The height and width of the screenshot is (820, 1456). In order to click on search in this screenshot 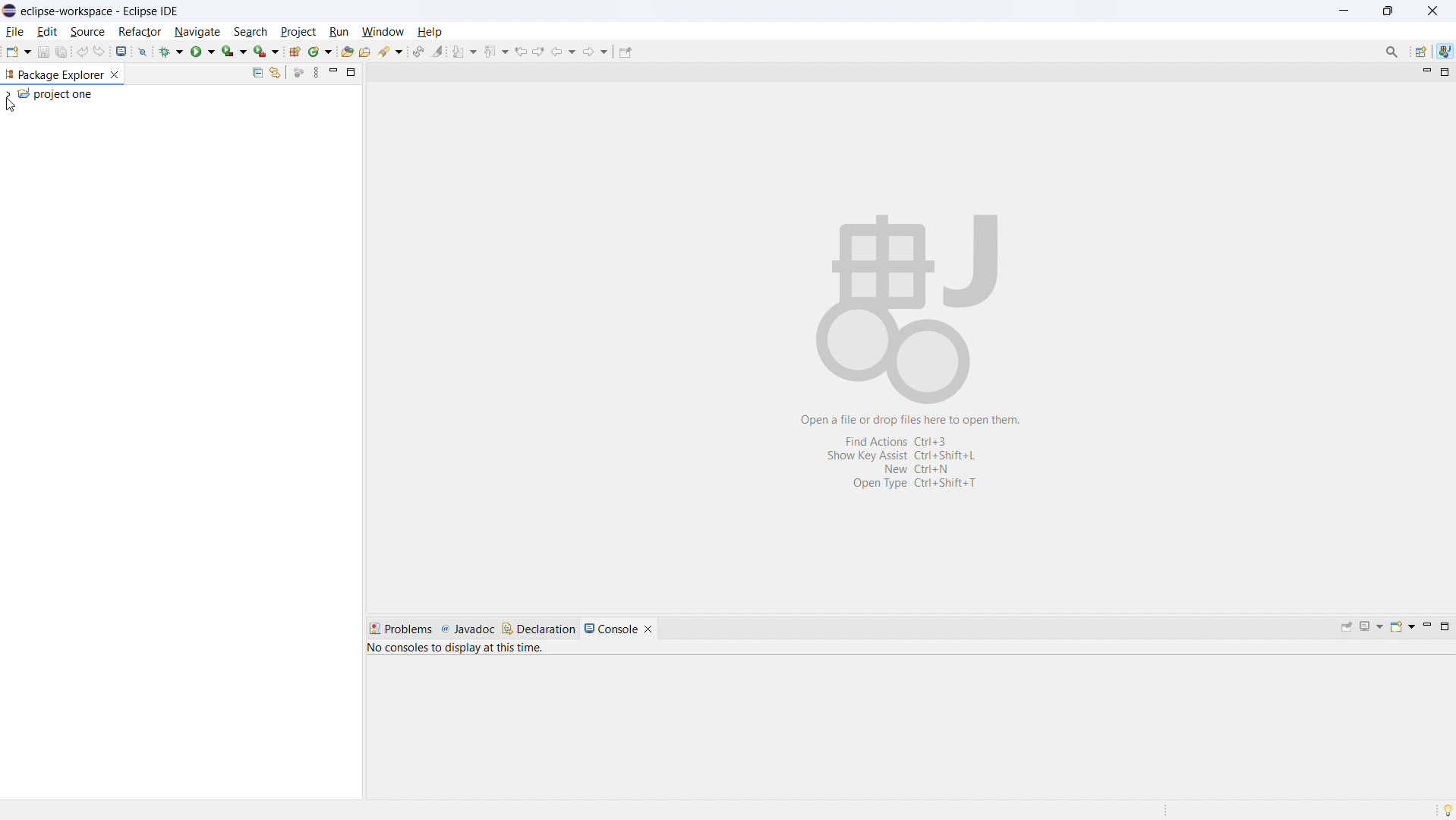, I will do `click(250, 30)`.